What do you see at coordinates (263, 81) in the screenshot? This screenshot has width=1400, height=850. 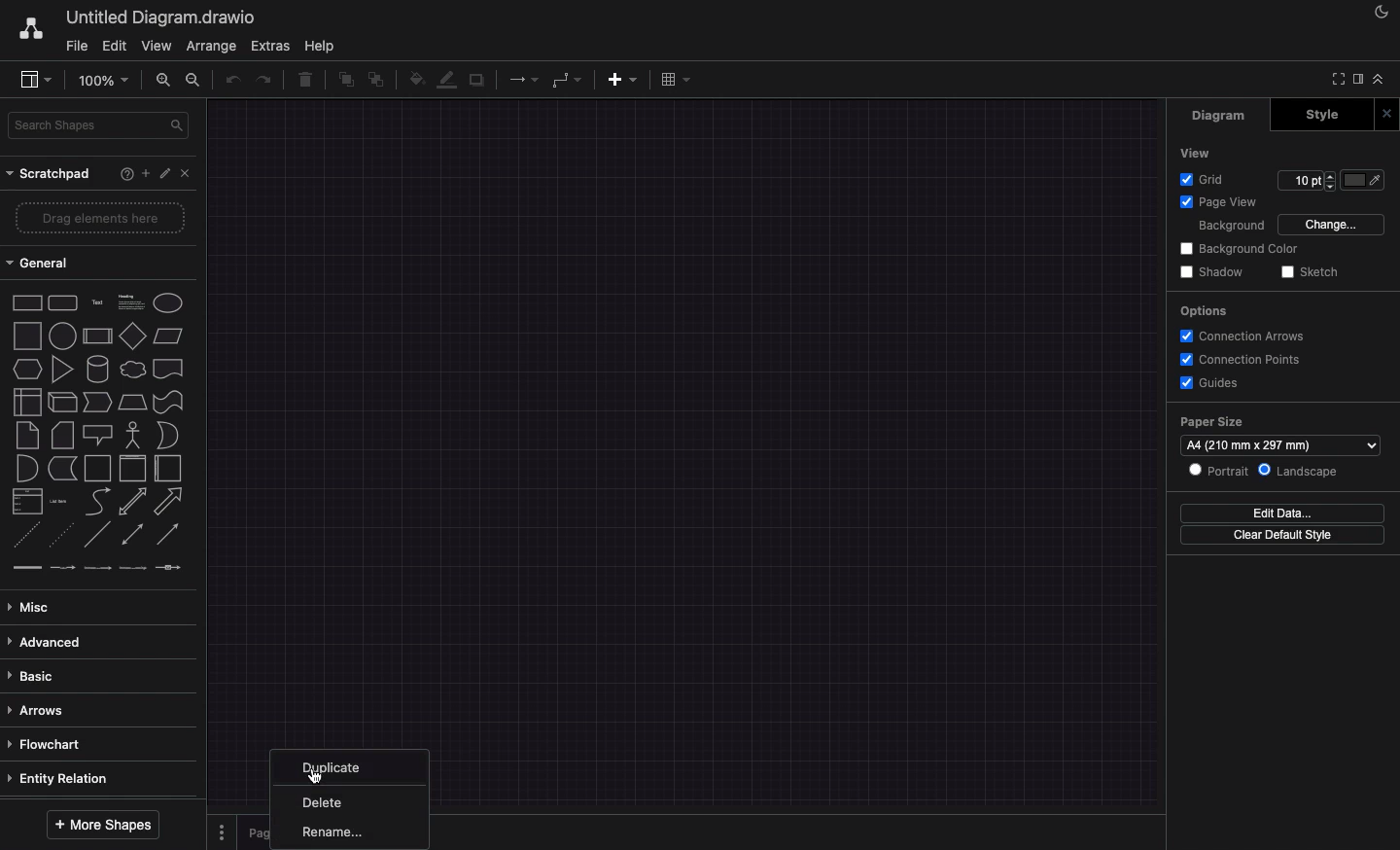 I see `redo` at bounding box center [263, 81].